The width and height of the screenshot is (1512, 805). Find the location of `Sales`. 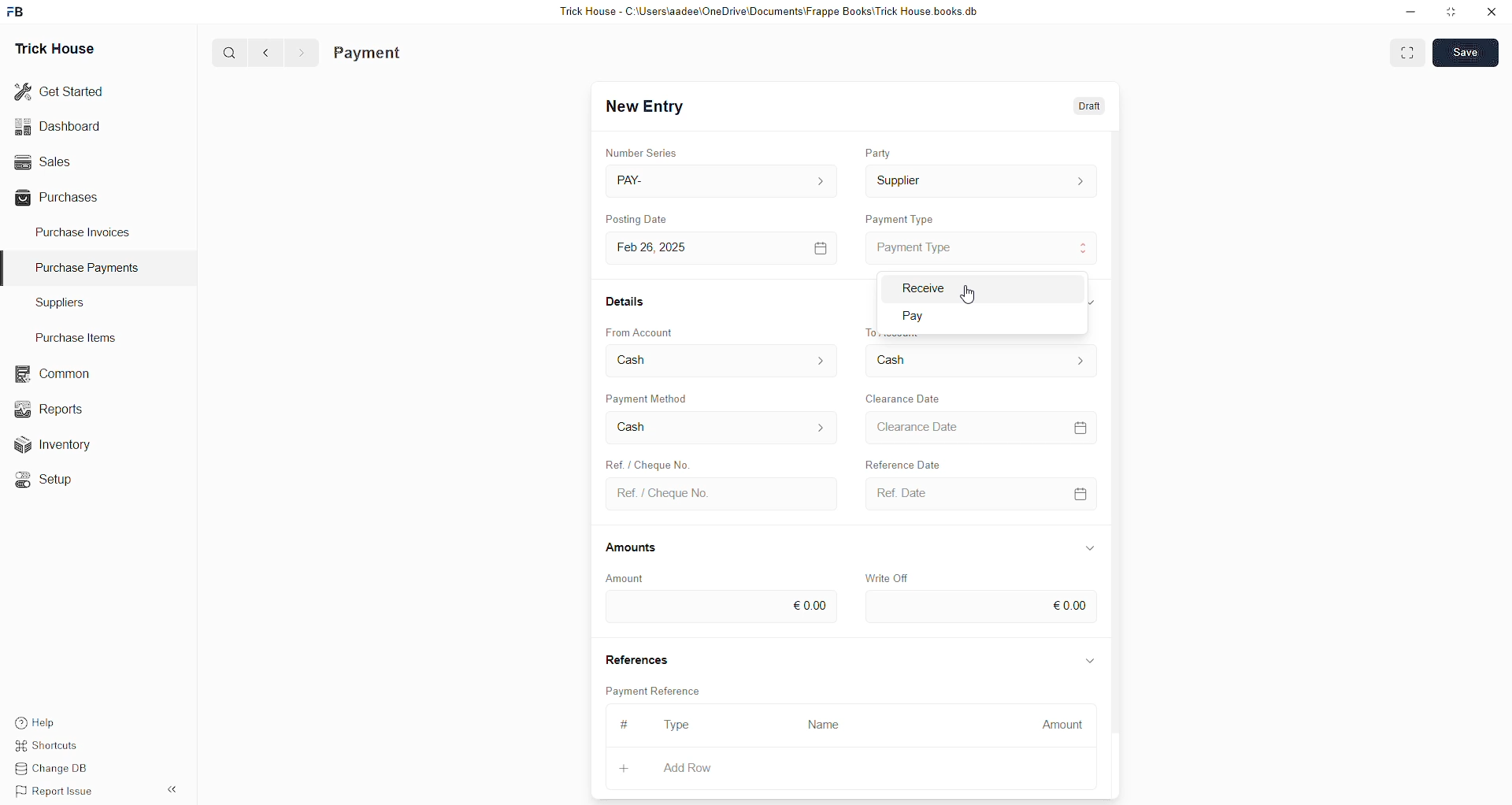

Sales is located at coordinates (45, 161).